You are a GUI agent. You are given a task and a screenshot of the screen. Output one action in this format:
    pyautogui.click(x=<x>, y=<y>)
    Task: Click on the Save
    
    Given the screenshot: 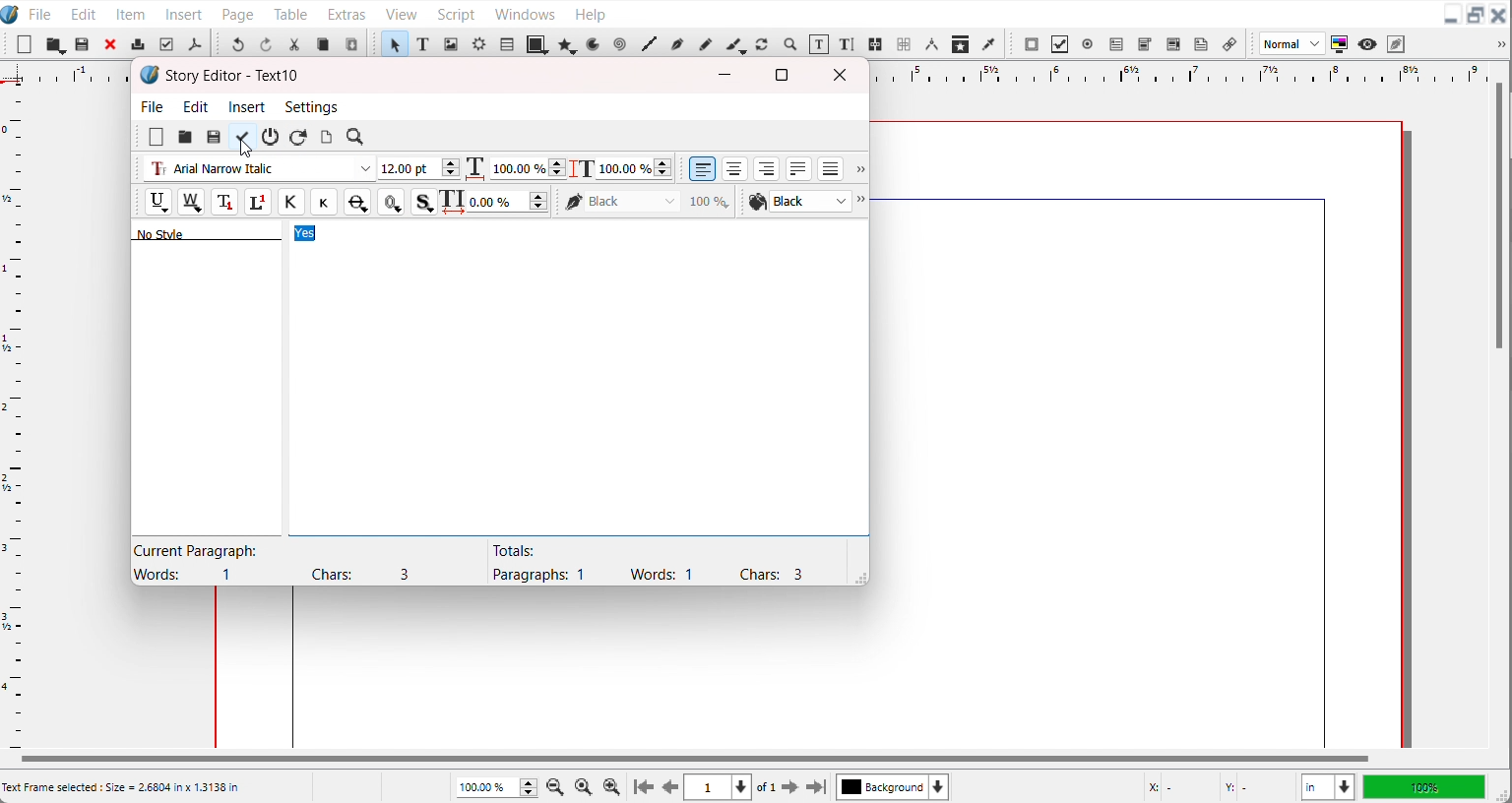 What is the action you would take?
    pyautogui.click(x=55, y=44)
    